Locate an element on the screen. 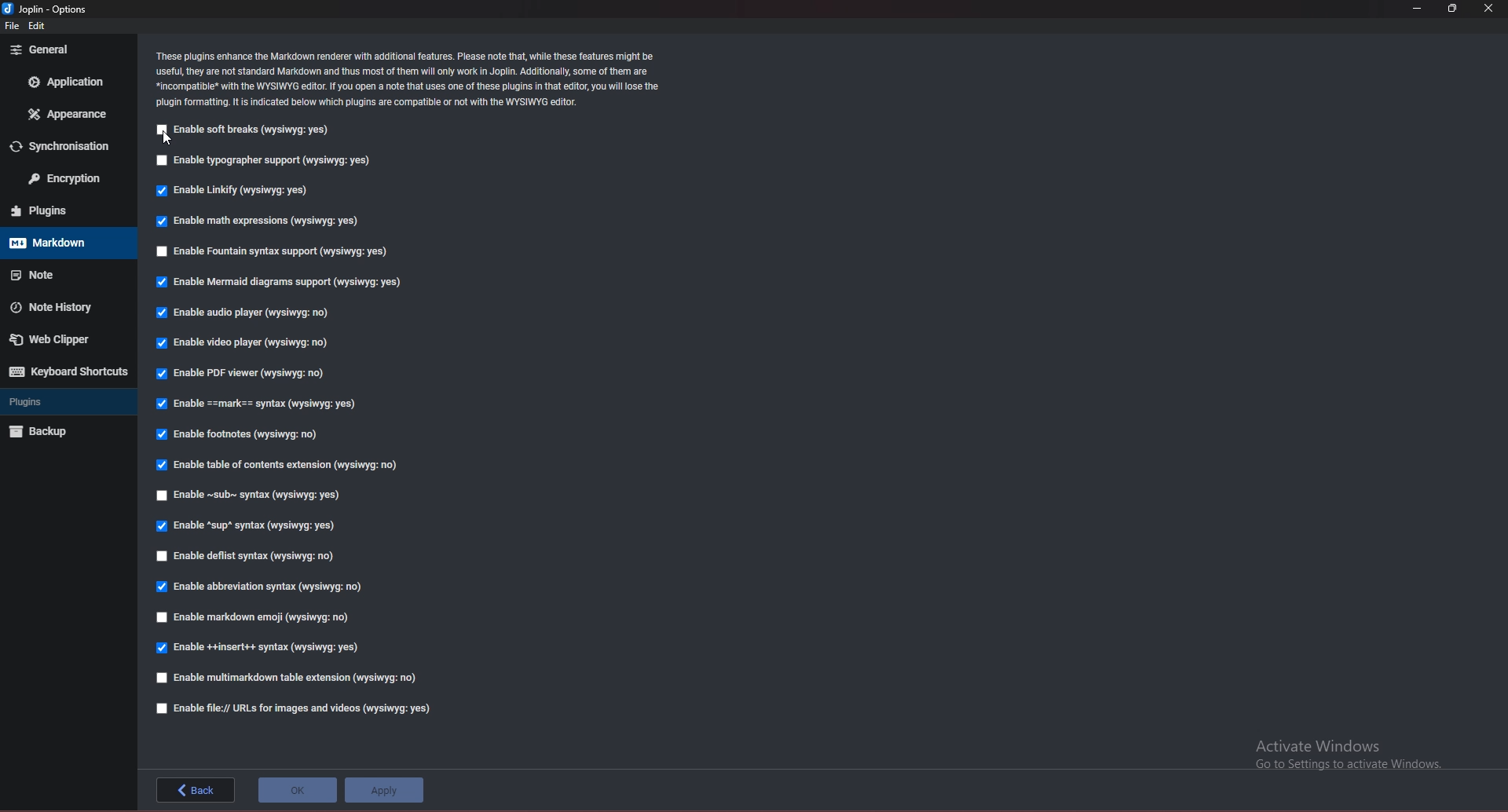 Image resolution: width=1508 pixels, height=812 pixels. apply is located at coordinates (384, 790).